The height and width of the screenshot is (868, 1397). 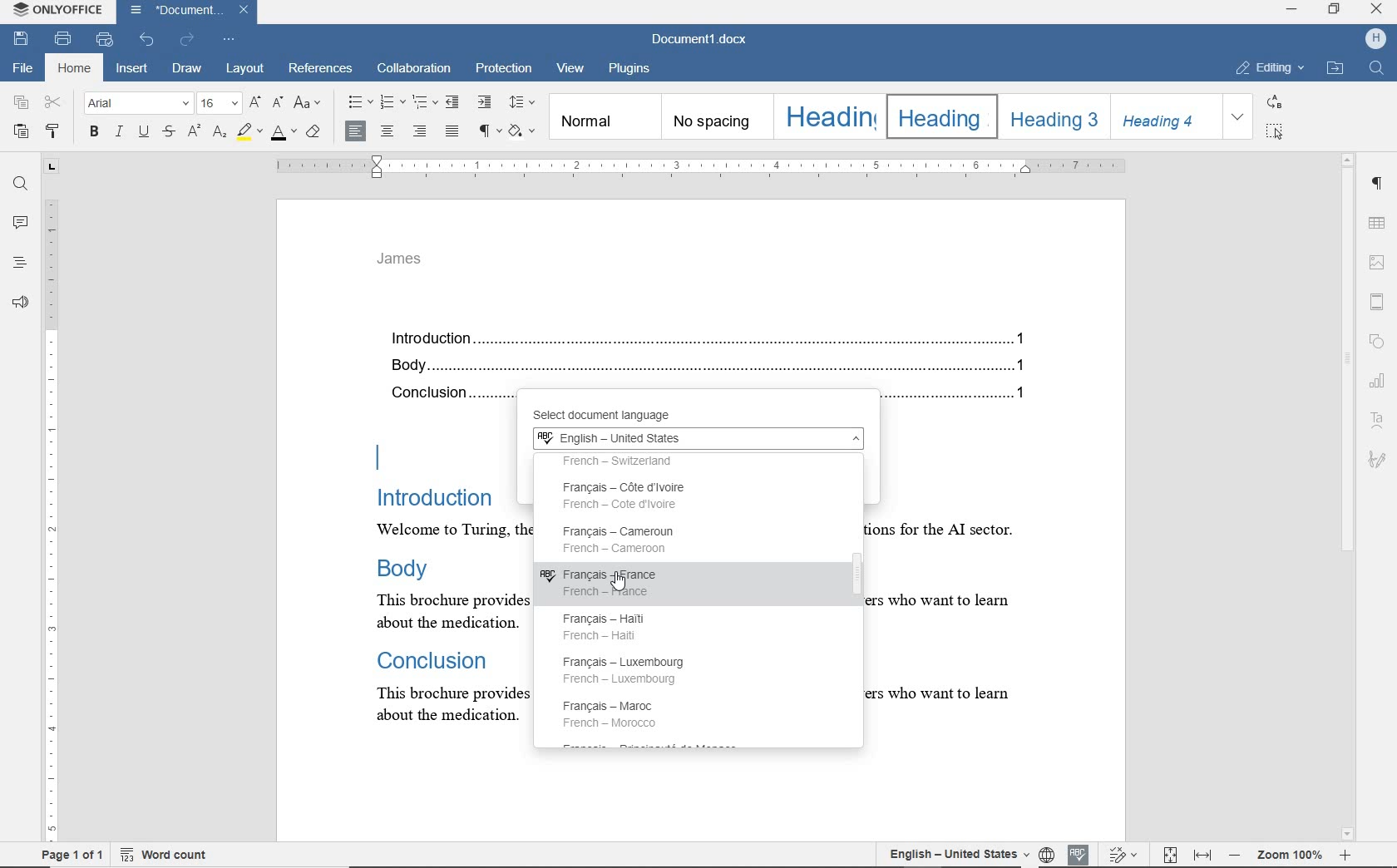 What do you see at coordinates (219, 104) in the screenshot?
I see `font size` at bounding box center [219, 104].